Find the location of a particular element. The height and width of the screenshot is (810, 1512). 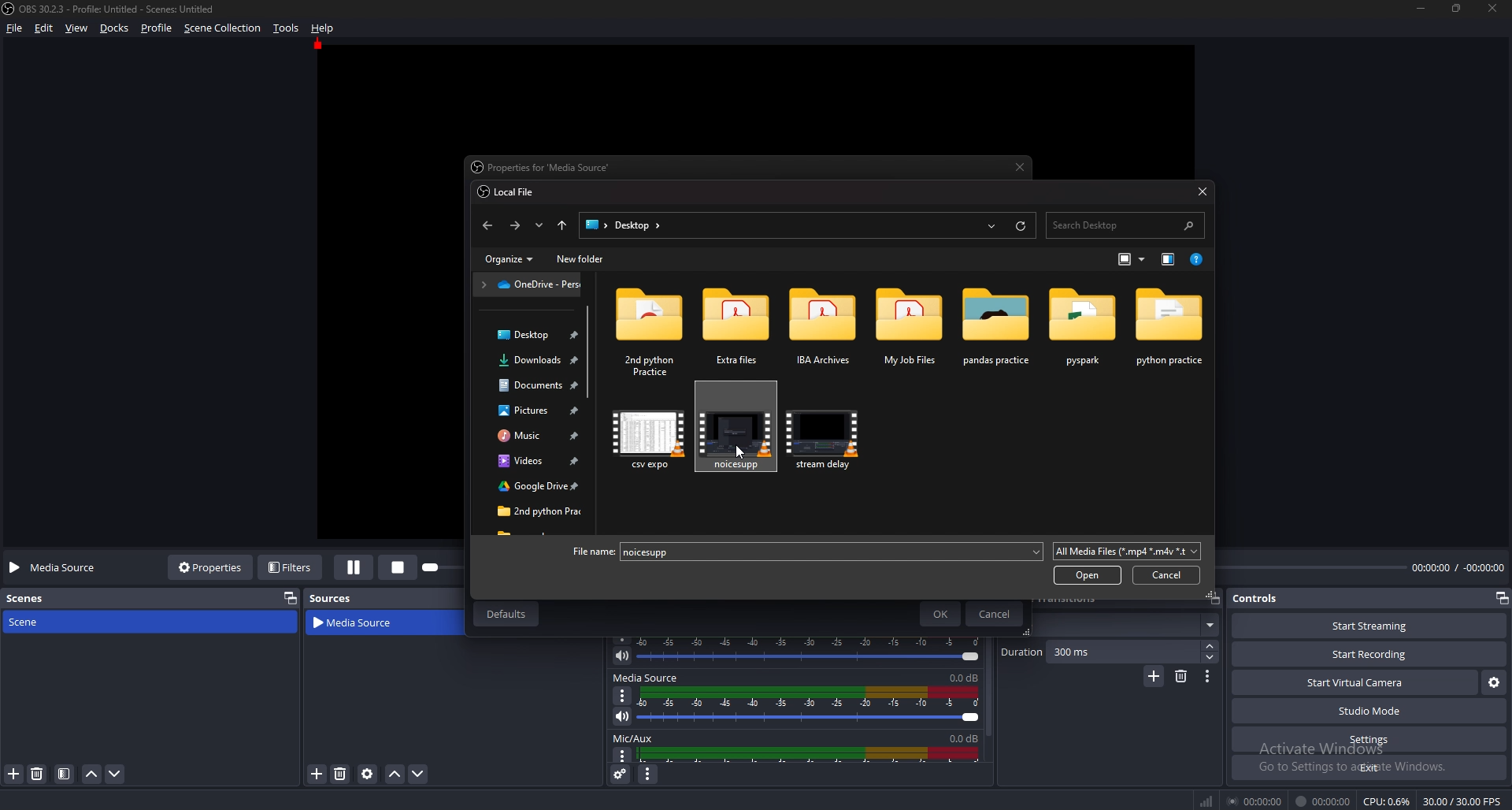

cursor is located at coordinates (743, 452).